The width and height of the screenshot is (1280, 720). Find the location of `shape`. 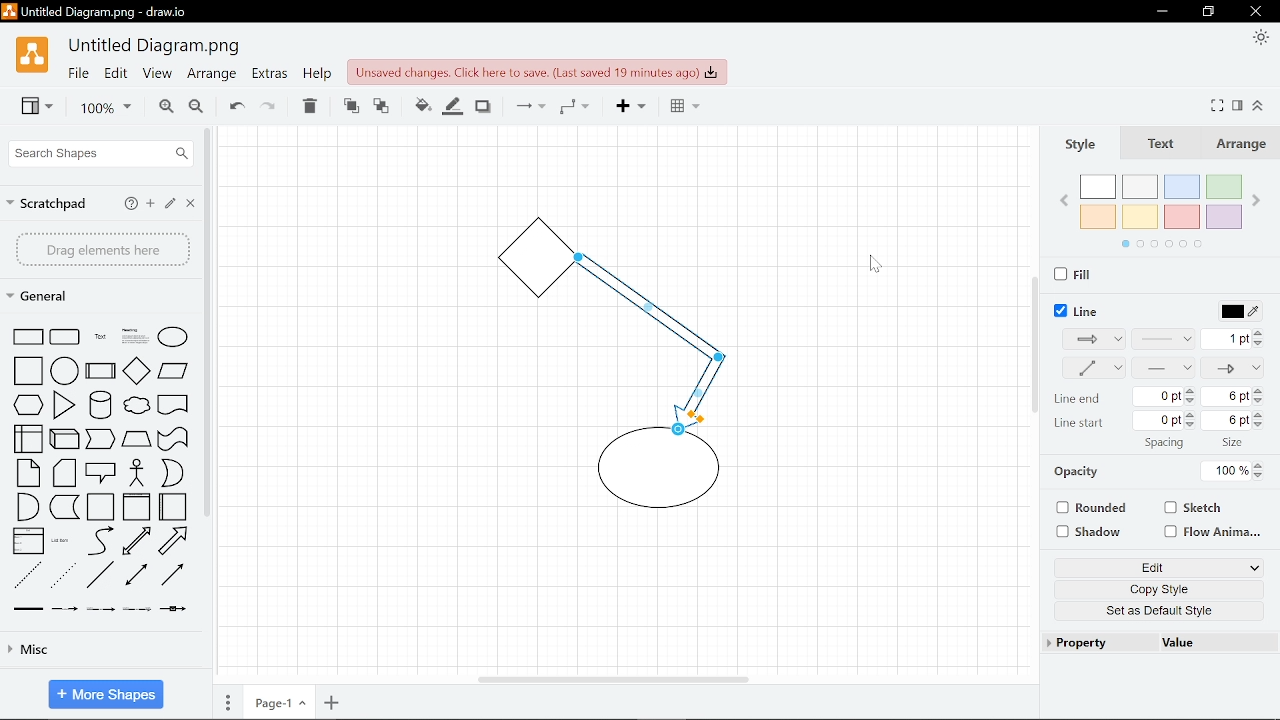

shape is located at coordinates (100, 507).